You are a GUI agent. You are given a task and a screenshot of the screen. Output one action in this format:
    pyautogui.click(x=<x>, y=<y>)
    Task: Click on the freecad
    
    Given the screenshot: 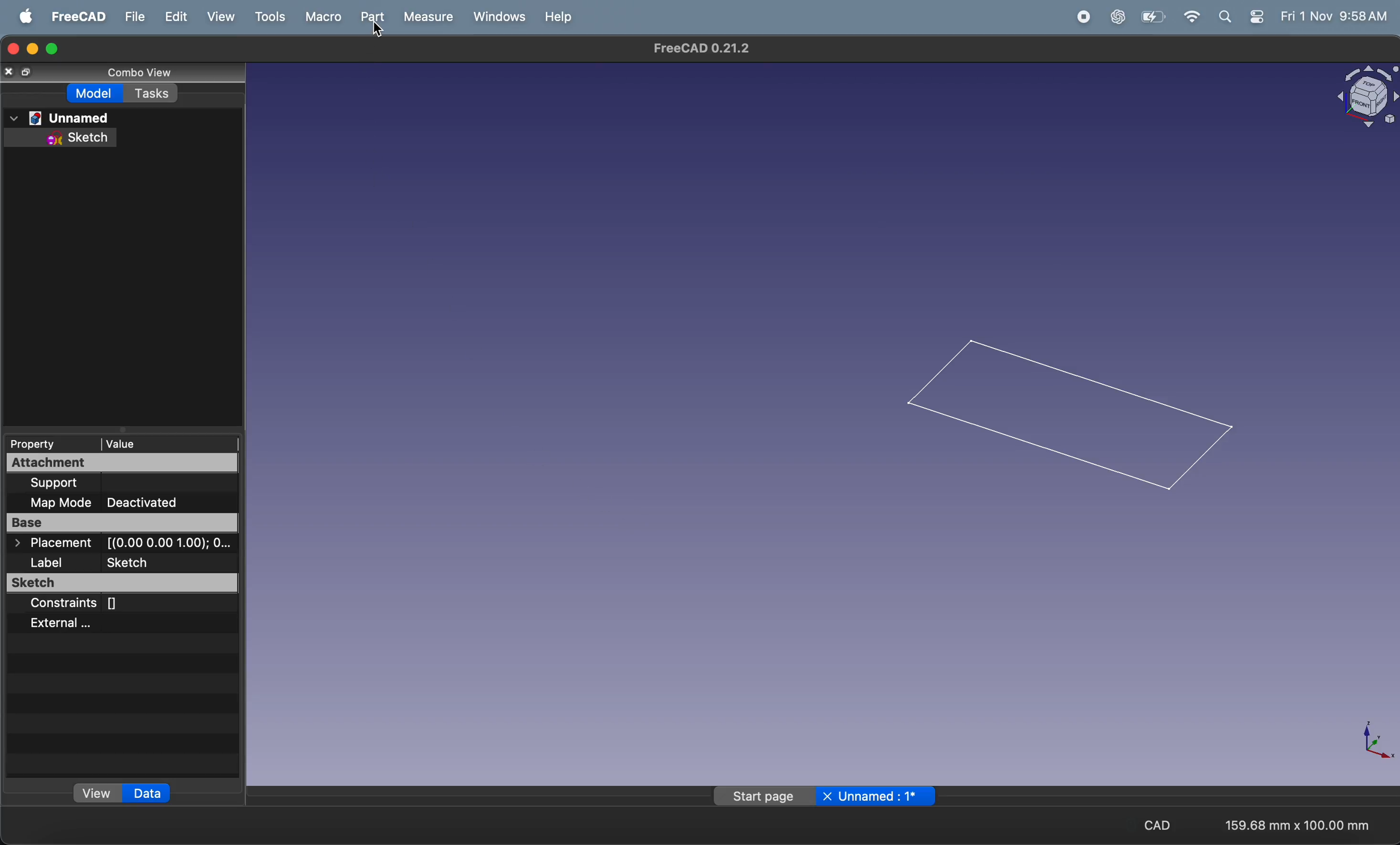 What is the action you would take?
    pyautogui.click(x=74, y=16)
    